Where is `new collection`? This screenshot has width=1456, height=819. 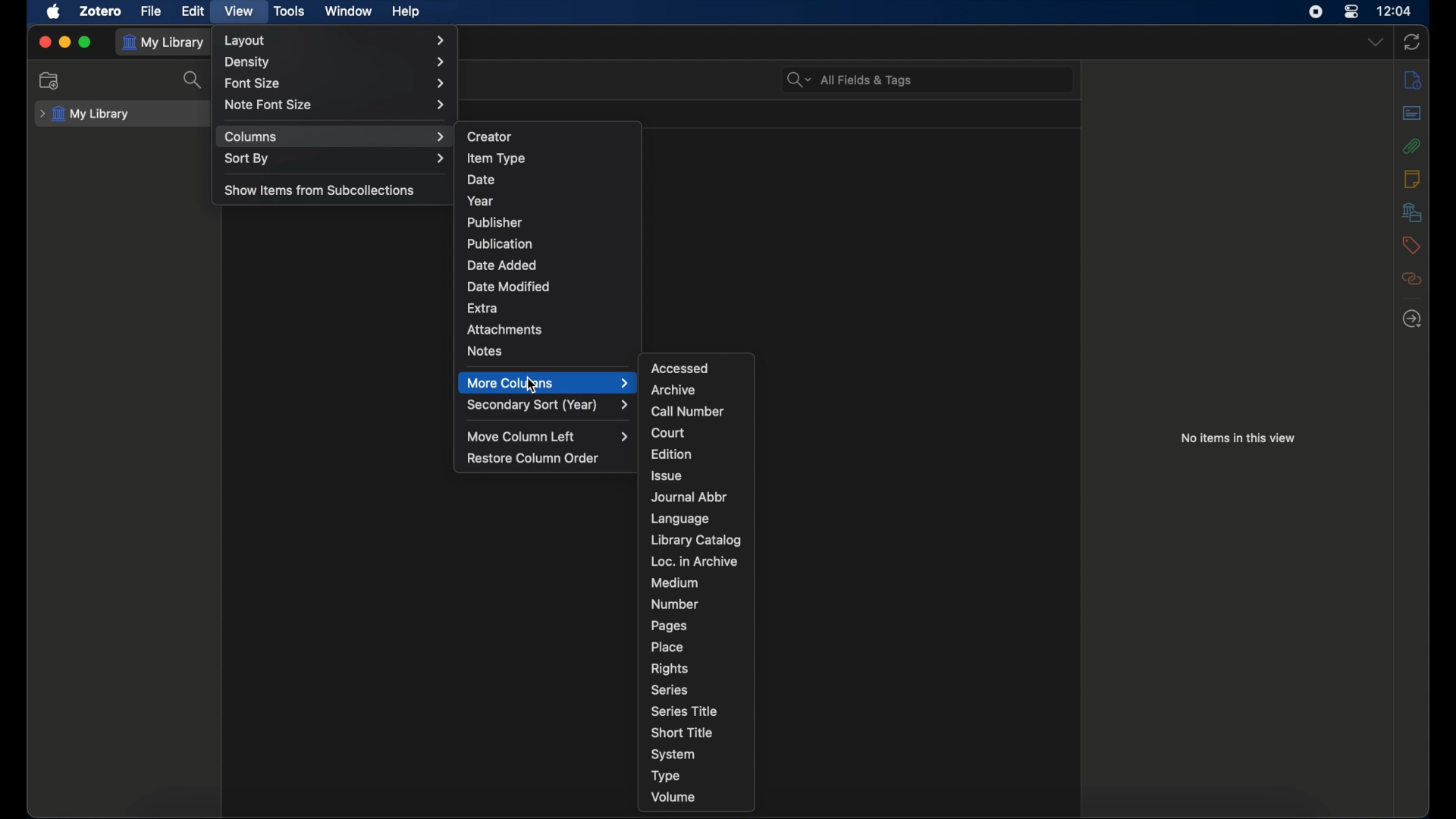 new collection is located at coordinates (50, 80).